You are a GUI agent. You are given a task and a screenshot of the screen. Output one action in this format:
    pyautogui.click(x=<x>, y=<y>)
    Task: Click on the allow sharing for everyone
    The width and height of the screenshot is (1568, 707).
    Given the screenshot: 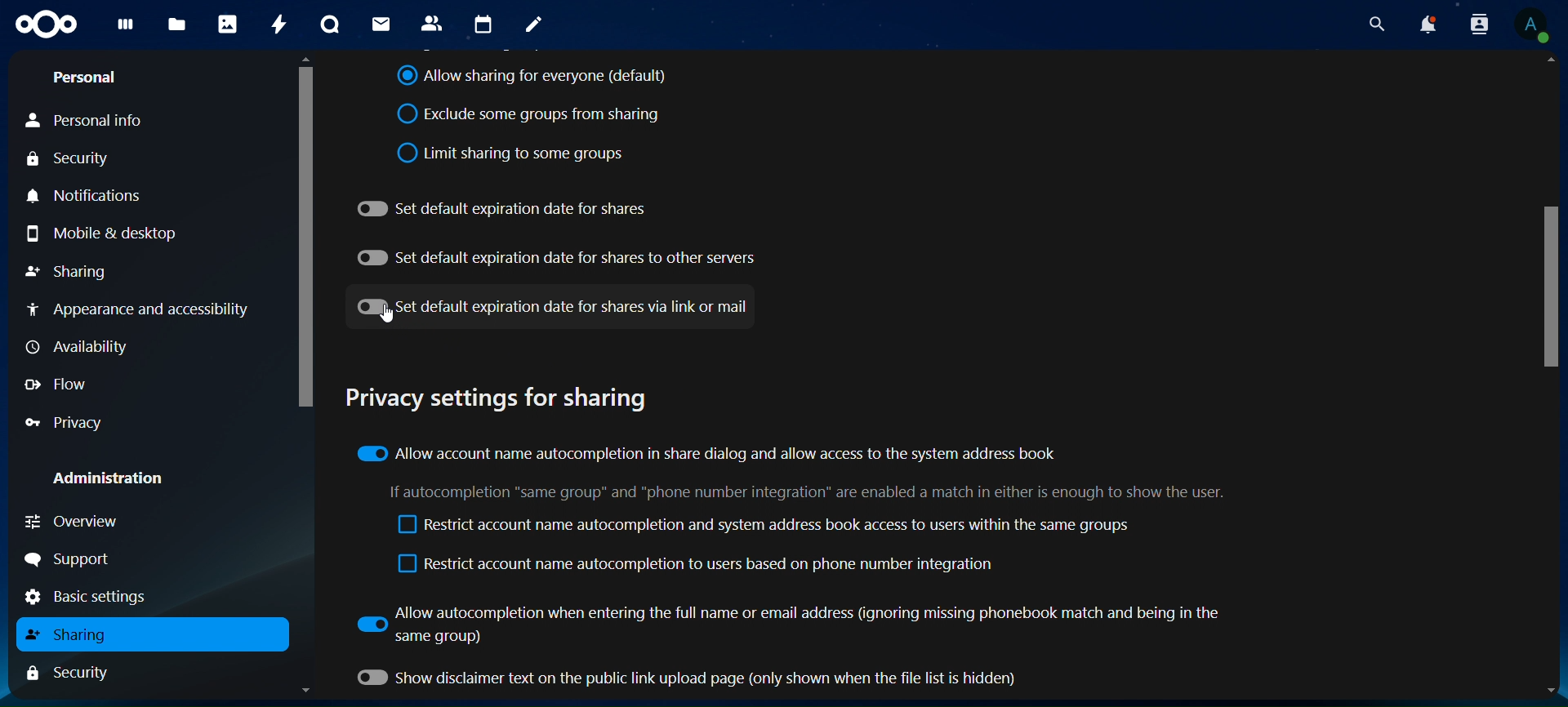 What is the action you would take?
    pyautogui.click(x=532, y=78)
    